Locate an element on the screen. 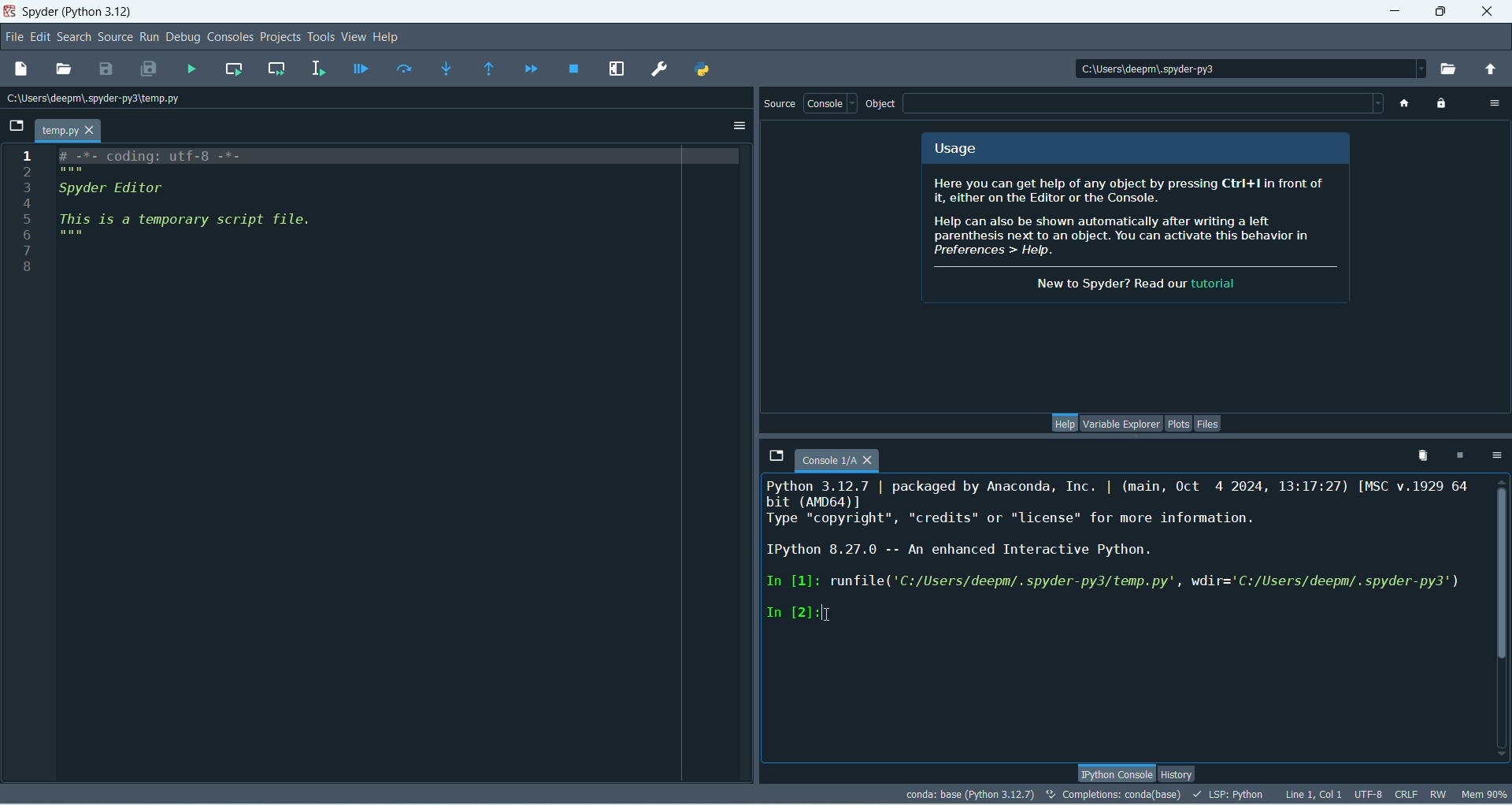 This screenshot has height=805, width=1512. source is located at coordinates (781, 105).